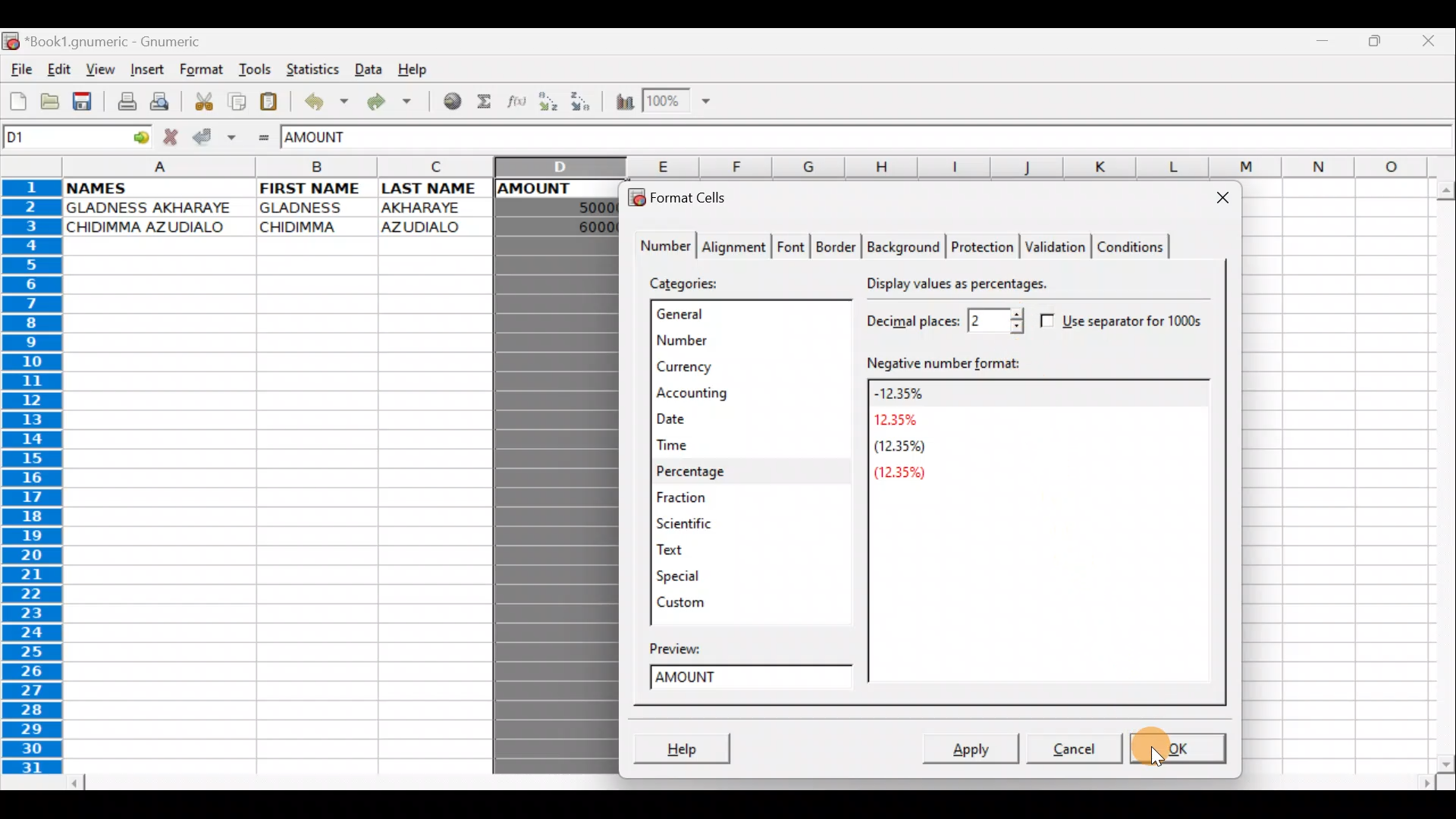  What do you see at coordinates (758, 166) in the screenshot?
I see `Columns` at bounding box center [758, 166].